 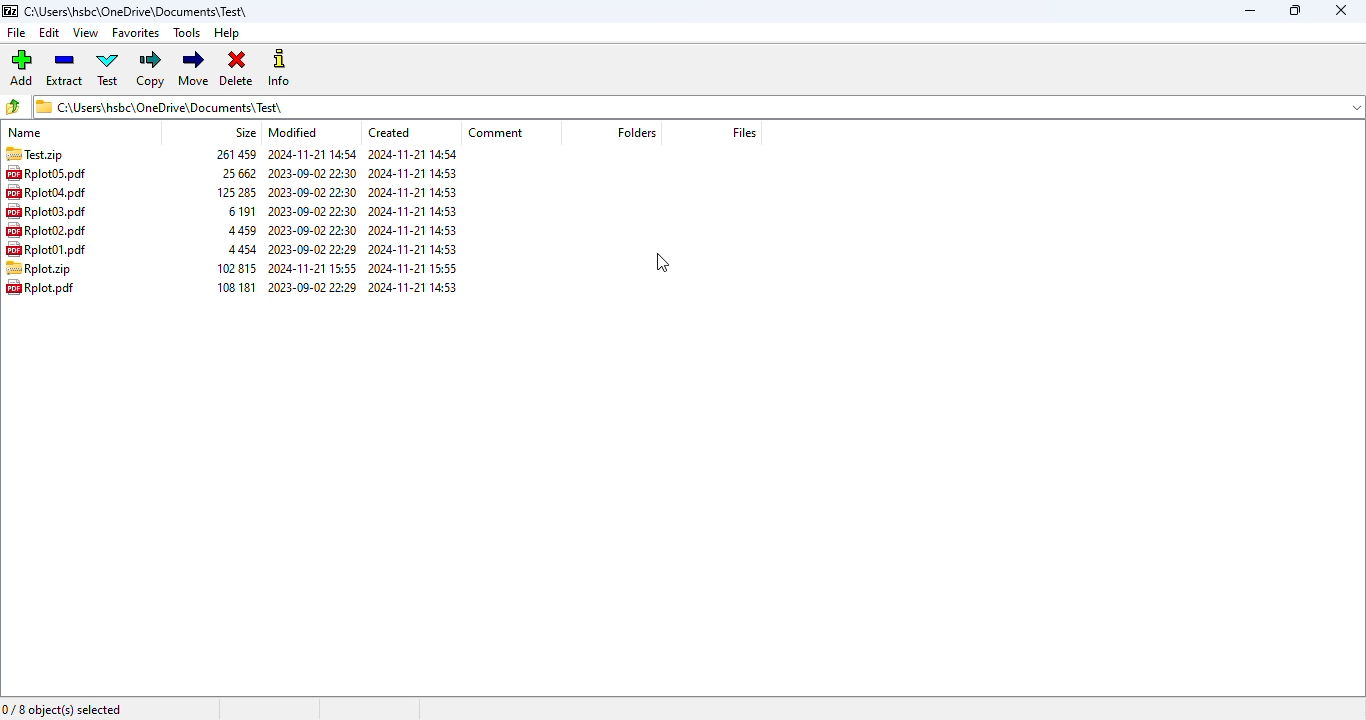 What do you see at coordinates (21, 66) in the screenshot?
I see `add` at bounding box center [21, 66].